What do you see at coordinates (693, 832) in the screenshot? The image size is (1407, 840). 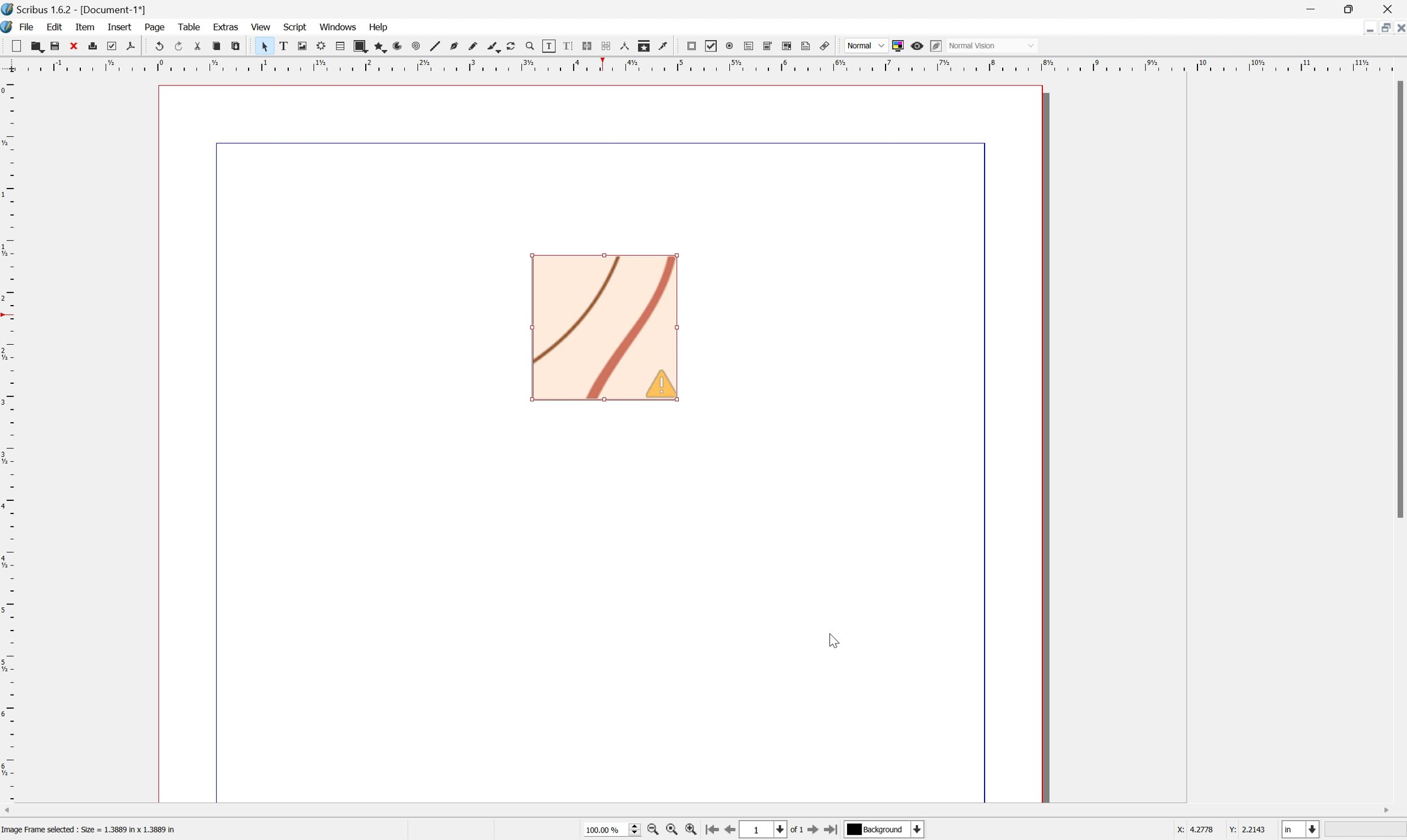 I see `Zoom In` at bounding box center [693, 832].